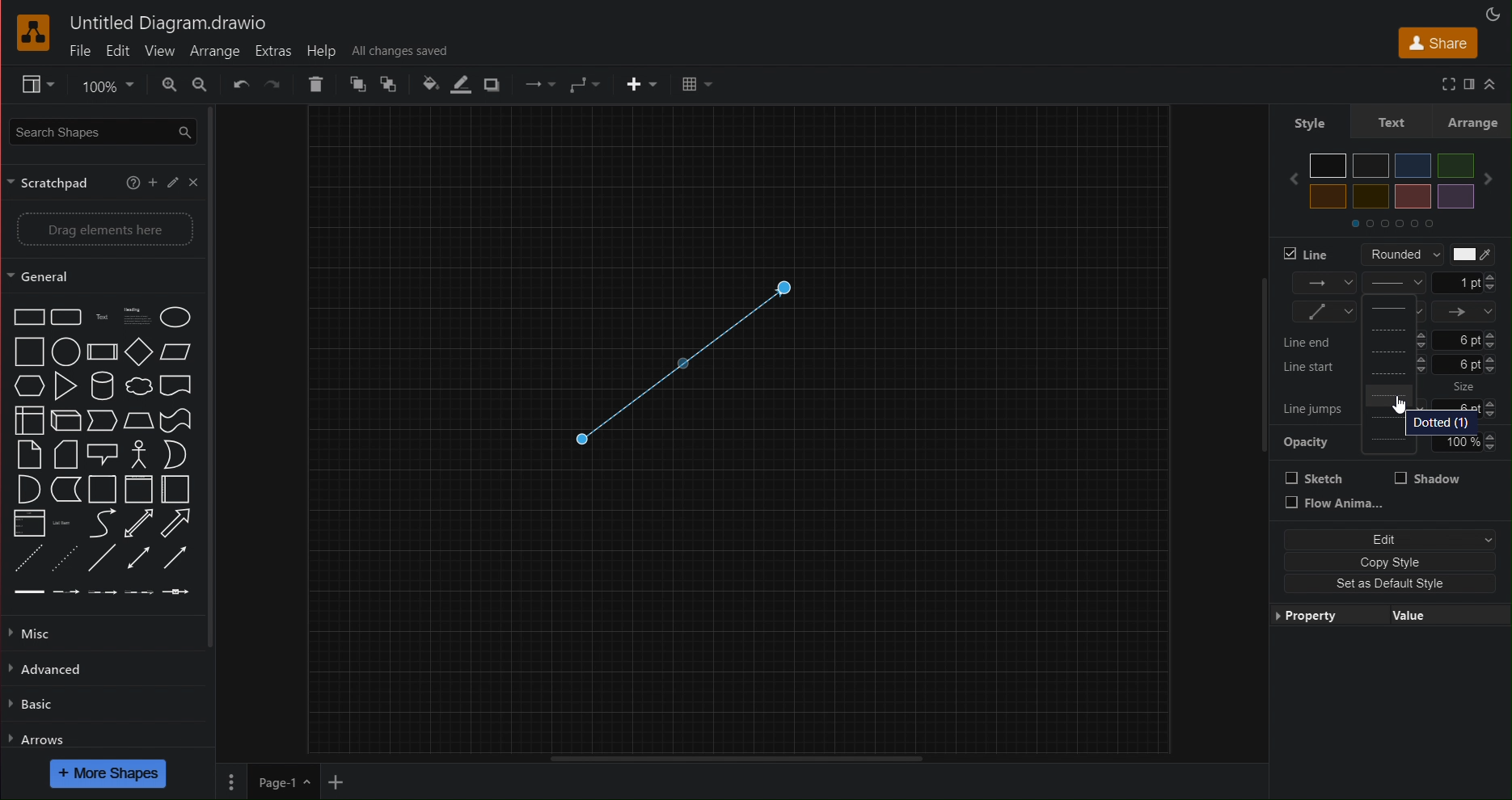 The height and width of the screenshot is (800, 1512). Describe the element at coordinates (391, 84) in the screenshot. I see `Send to back` at that location.